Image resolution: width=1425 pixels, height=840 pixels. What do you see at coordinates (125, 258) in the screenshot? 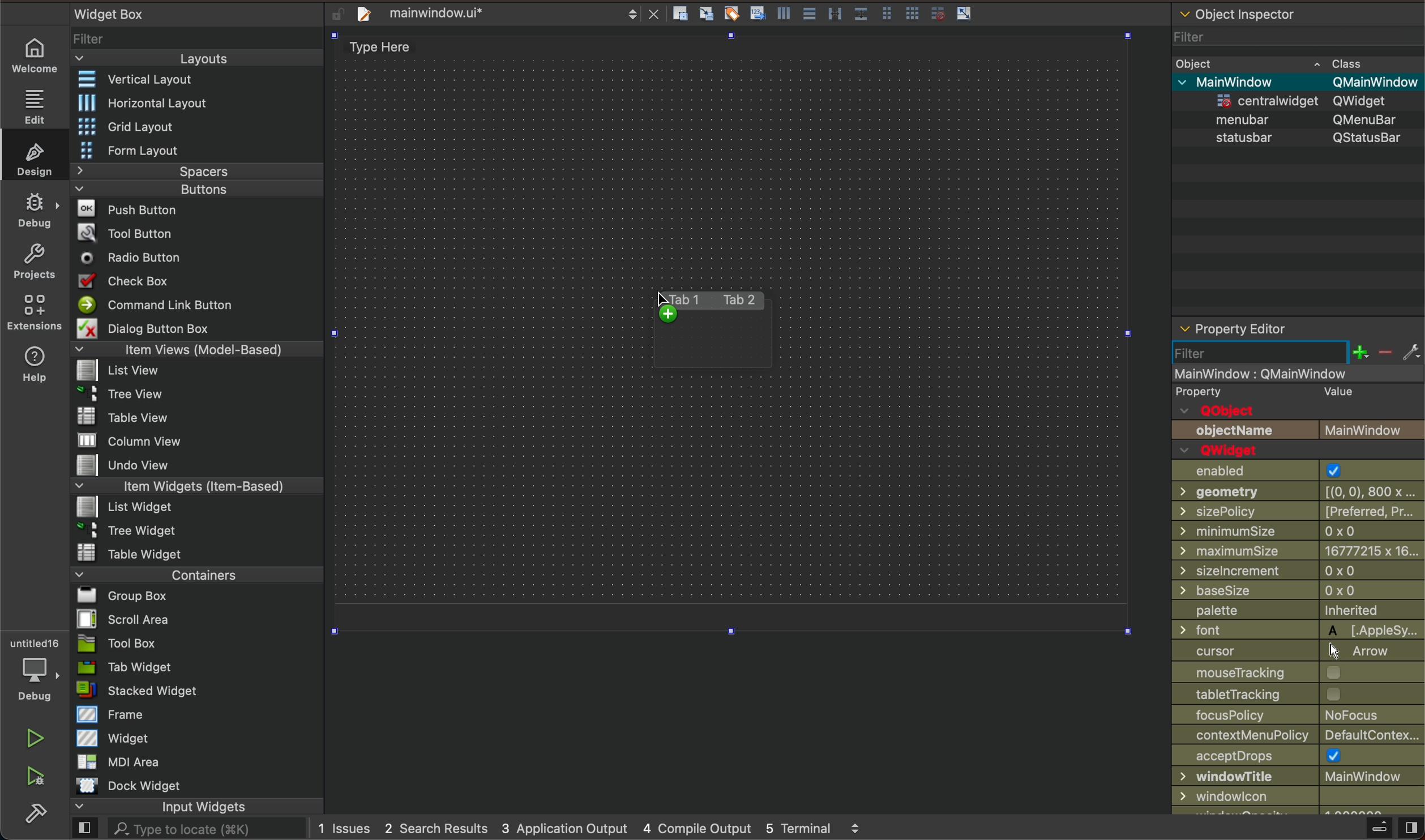
I see ` Radio Button` at bounding box center [125, 258].